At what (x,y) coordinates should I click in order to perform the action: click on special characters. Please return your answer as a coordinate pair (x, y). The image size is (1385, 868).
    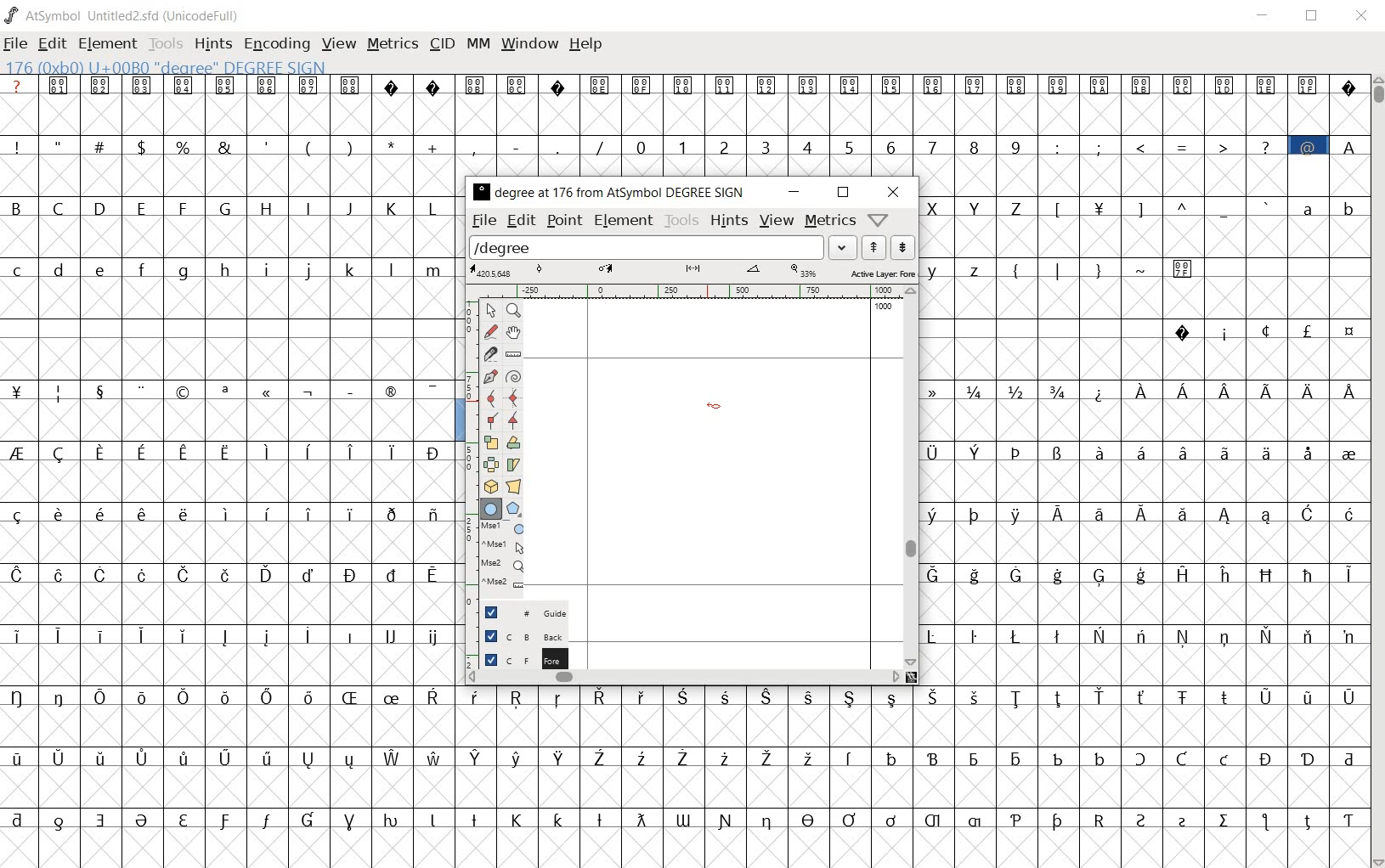
    Looking at the image, I should click on (1263, 330).